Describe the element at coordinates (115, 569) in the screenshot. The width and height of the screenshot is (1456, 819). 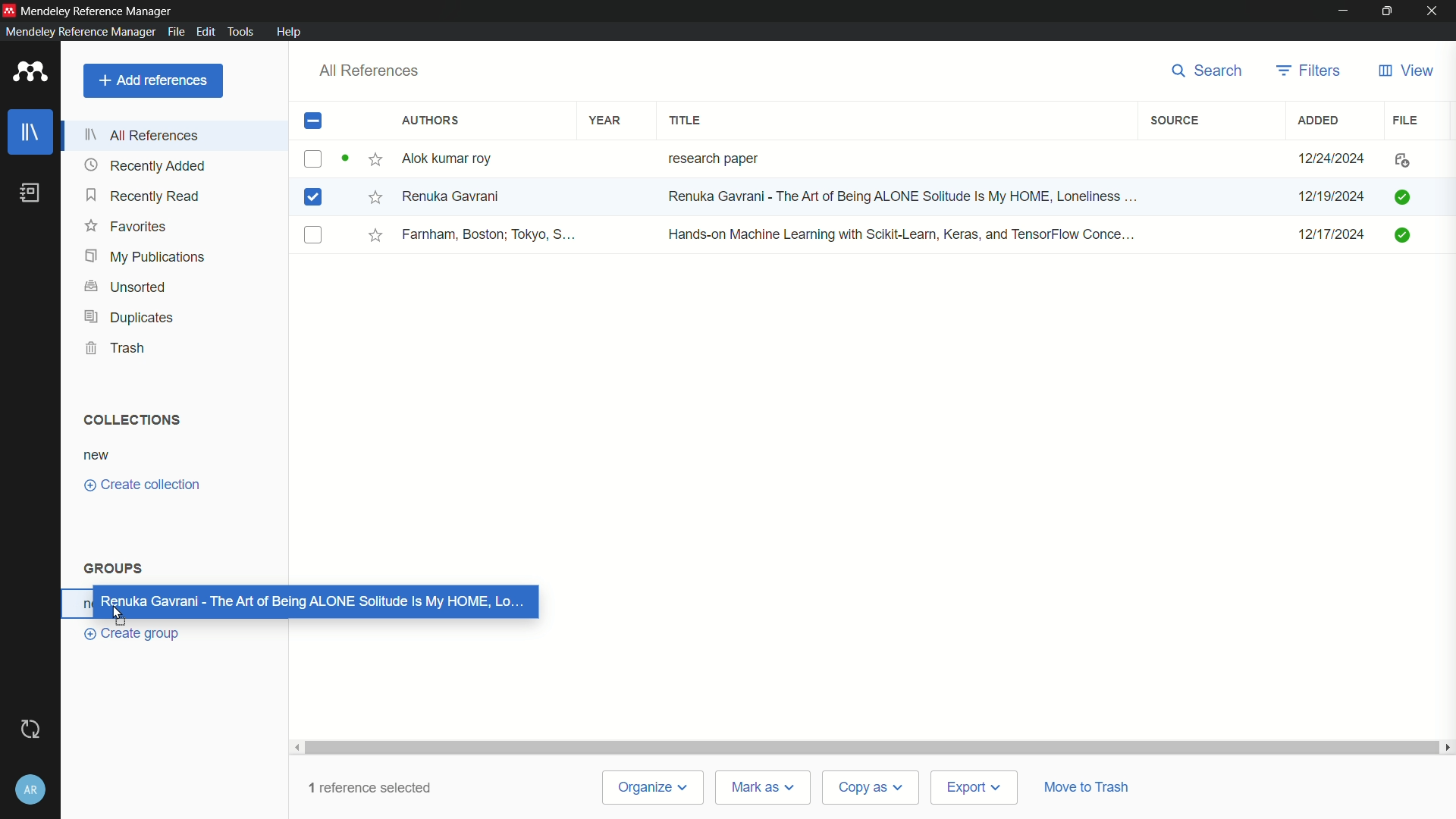
I see `groups` at that location.